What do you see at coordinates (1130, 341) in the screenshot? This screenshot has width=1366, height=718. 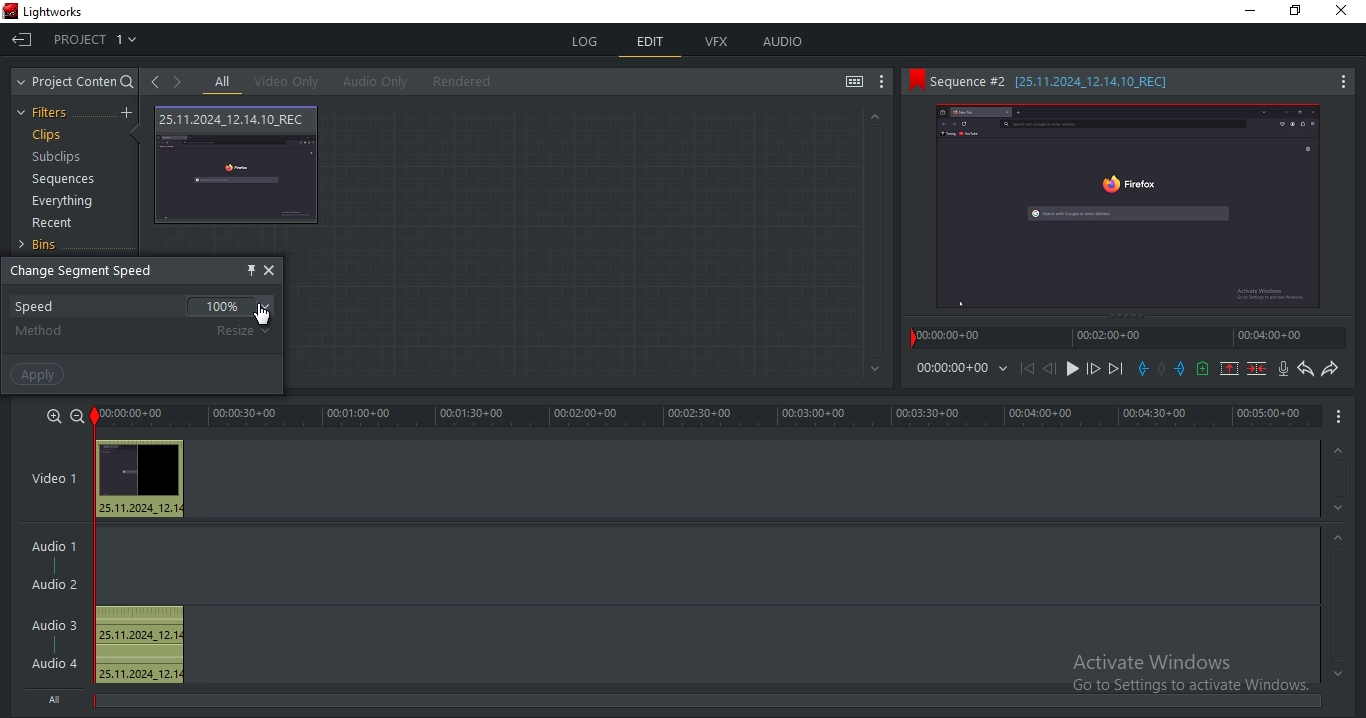 I see `timeline` at bounding box center [1130, 341].